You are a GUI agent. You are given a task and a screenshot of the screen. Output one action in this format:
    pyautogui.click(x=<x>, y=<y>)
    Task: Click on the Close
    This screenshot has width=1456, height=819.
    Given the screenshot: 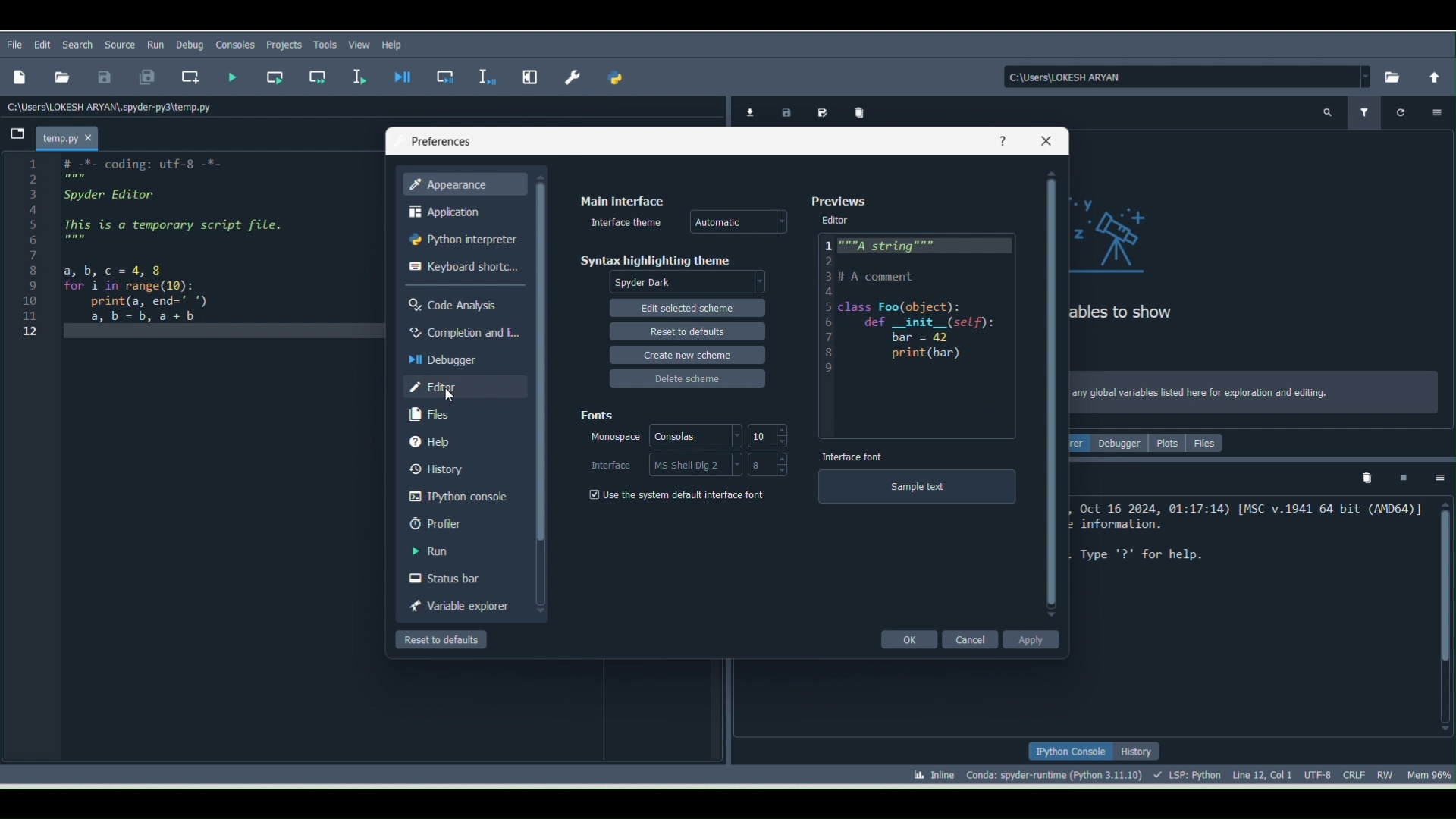 What is the action you would take?
    pyautogui.click(x=1045, y=143)
    